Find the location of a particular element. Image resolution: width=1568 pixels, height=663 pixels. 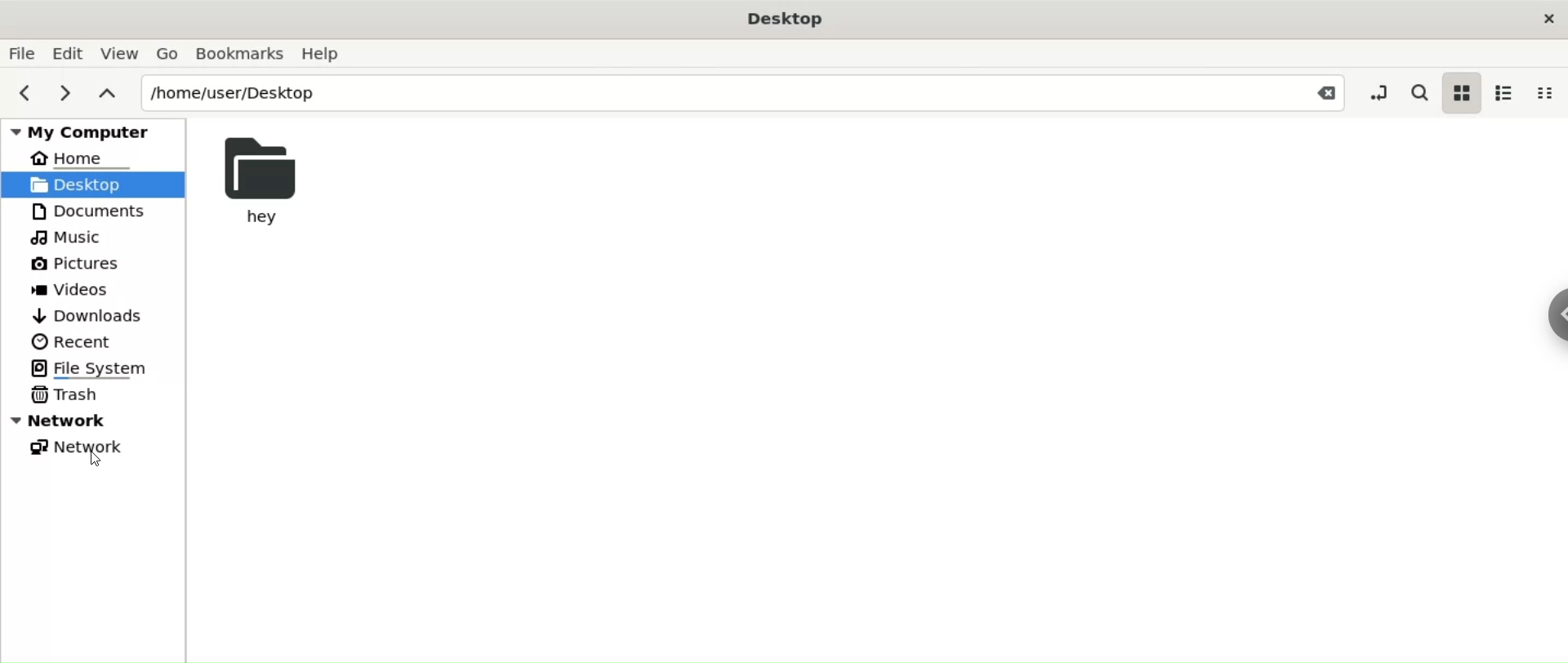

icon view is located at coordinates (1461, 95).